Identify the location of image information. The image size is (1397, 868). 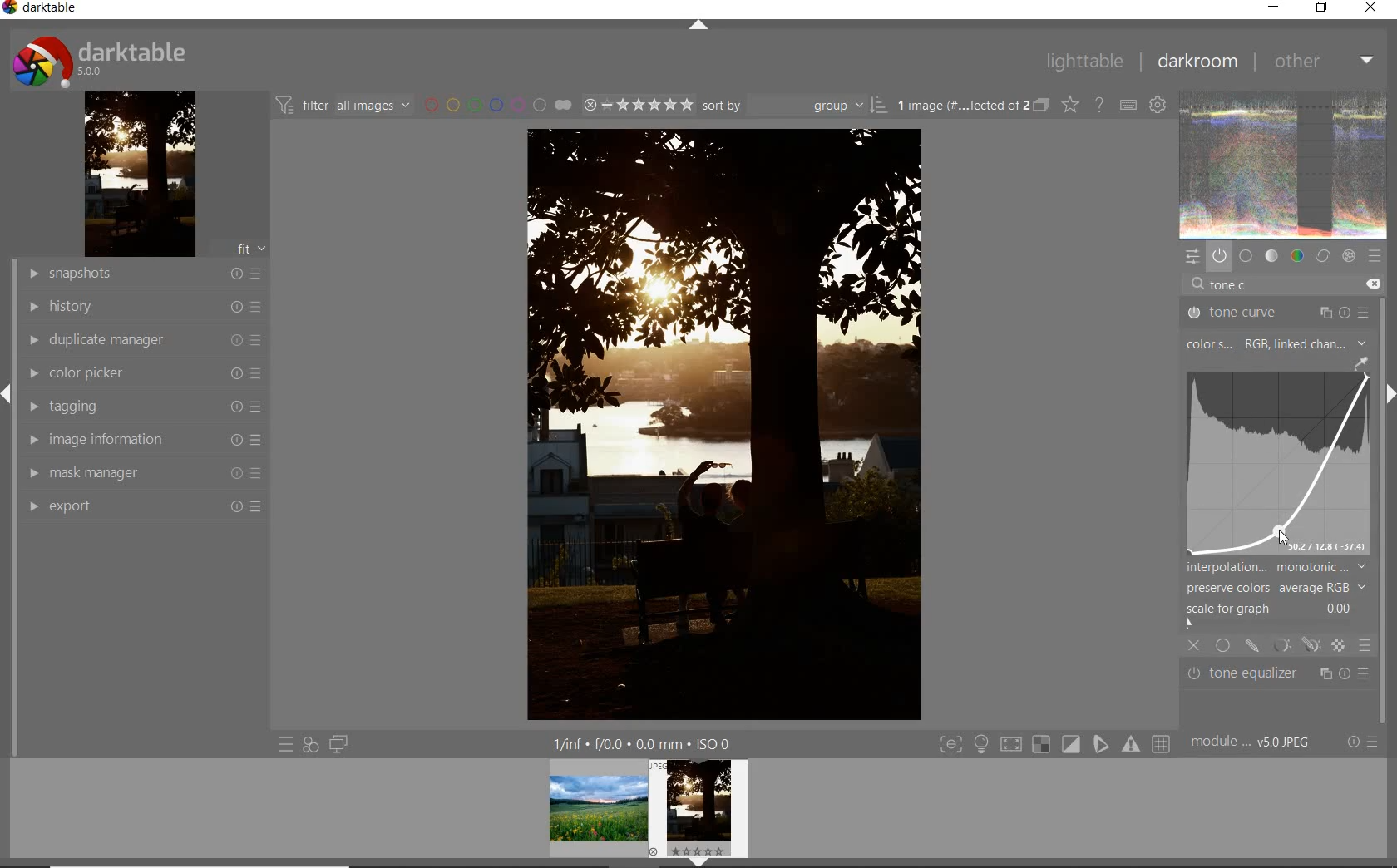
(141, 439).